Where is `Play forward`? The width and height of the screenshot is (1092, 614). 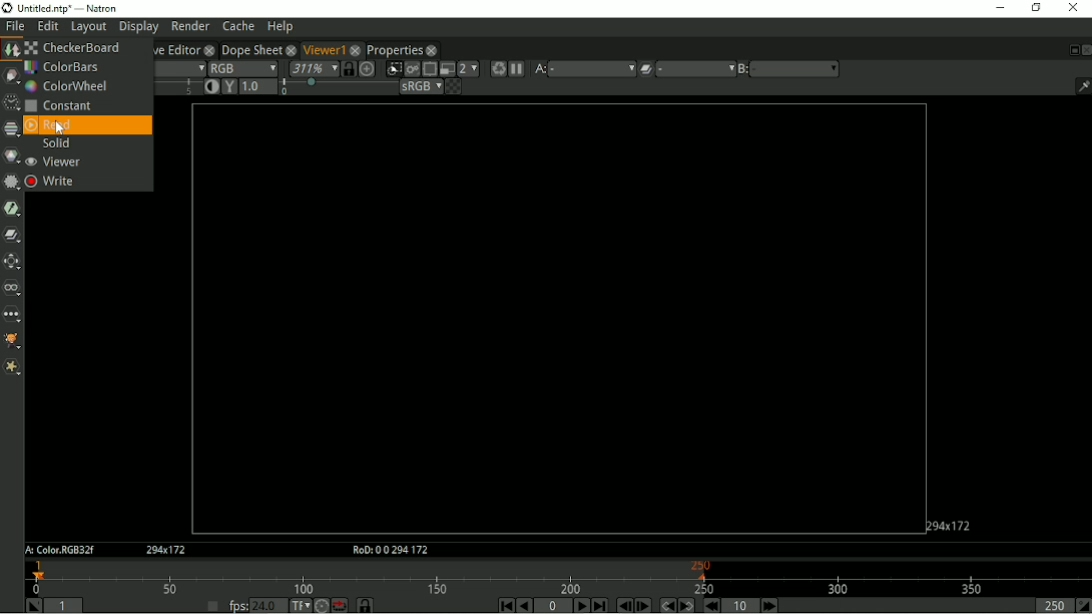 Play forward is located at coordinates (580, 605).